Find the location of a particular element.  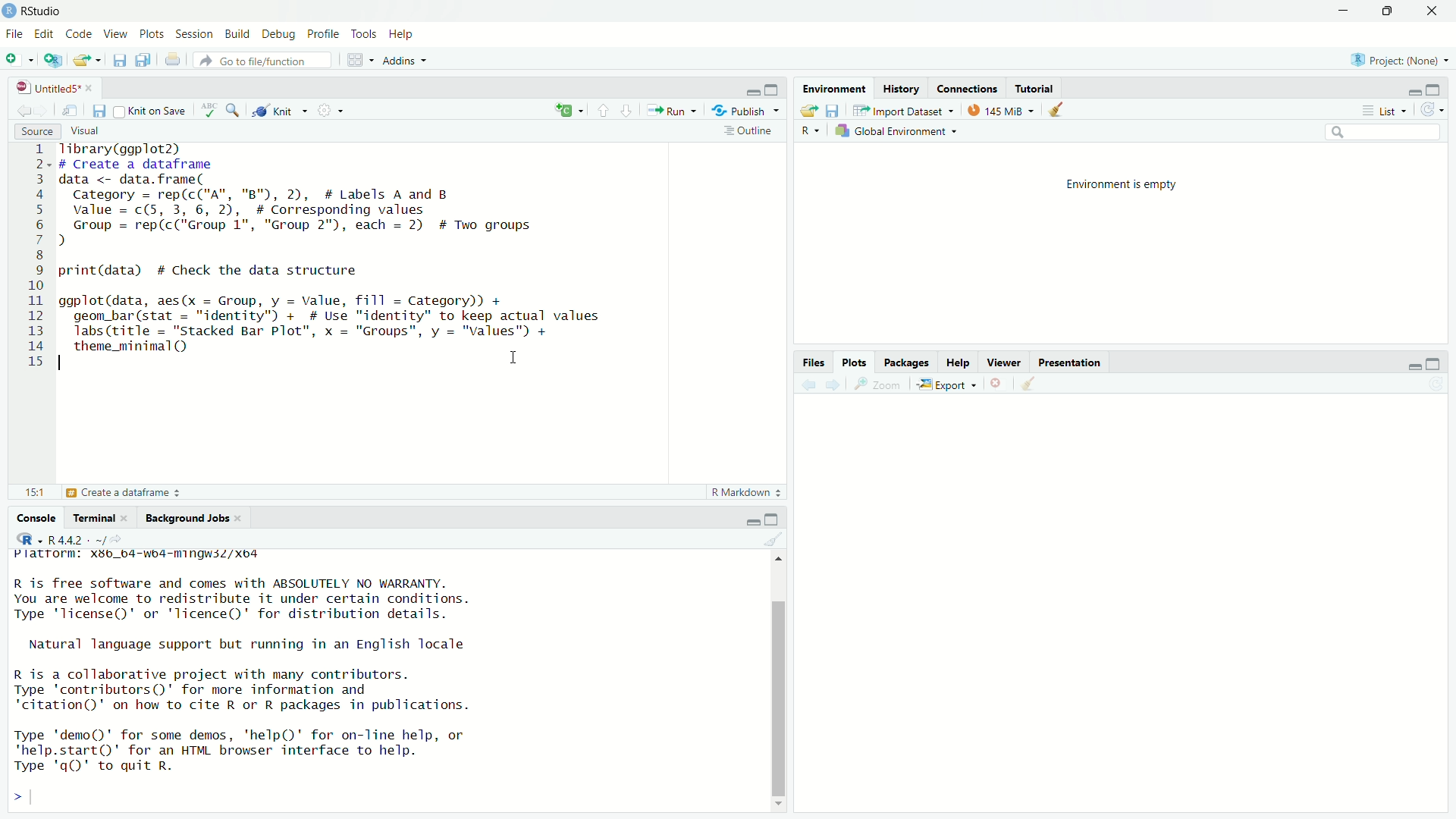

Print the current file is located at coordinates (174, 61).